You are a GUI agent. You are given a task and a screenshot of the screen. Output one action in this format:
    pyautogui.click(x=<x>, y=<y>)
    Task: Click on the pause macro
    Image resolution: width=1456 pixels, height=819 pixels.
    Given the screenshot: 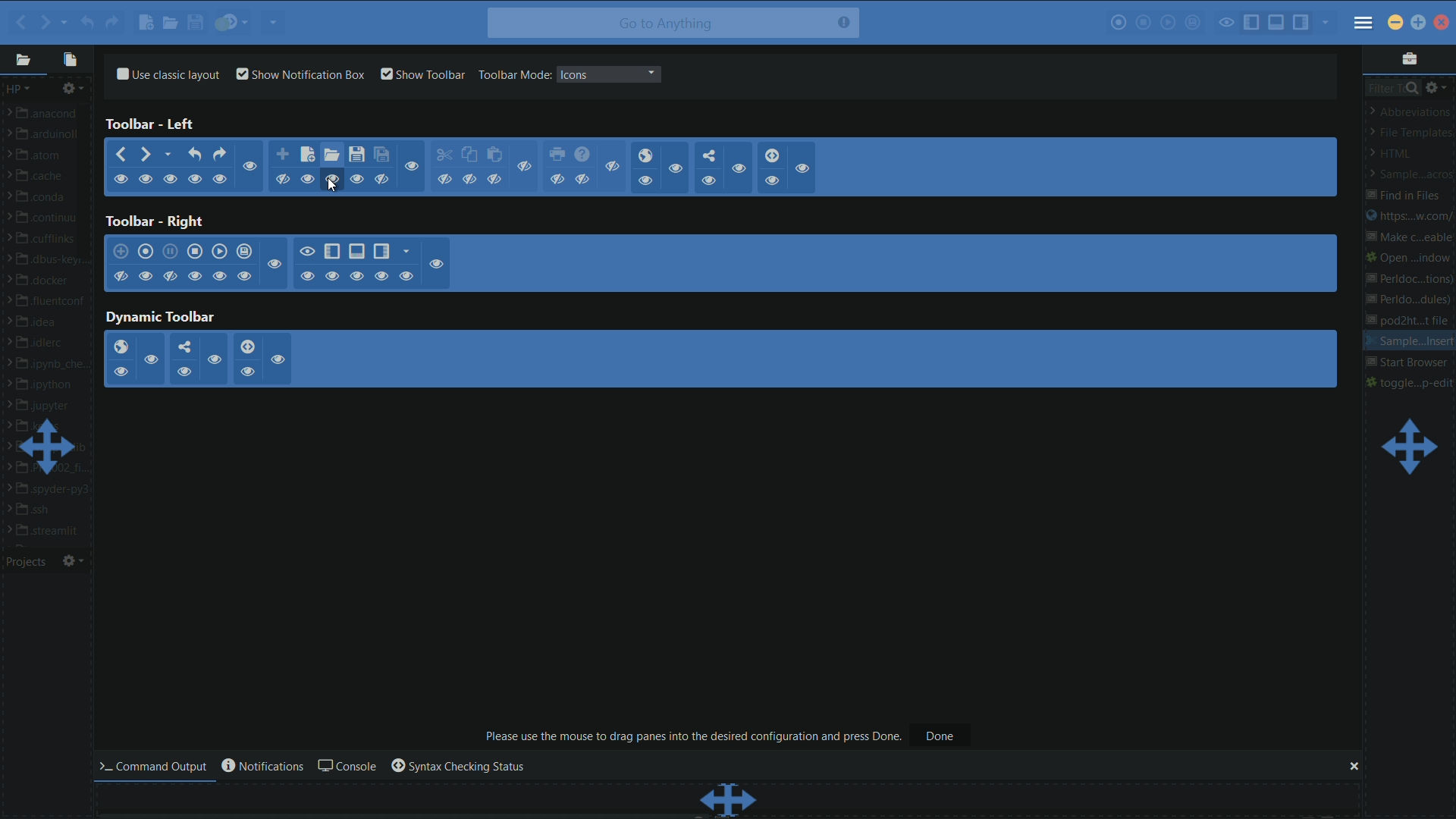 What is the action you would take?
    pyautogui.click(x=170, y=252)
    